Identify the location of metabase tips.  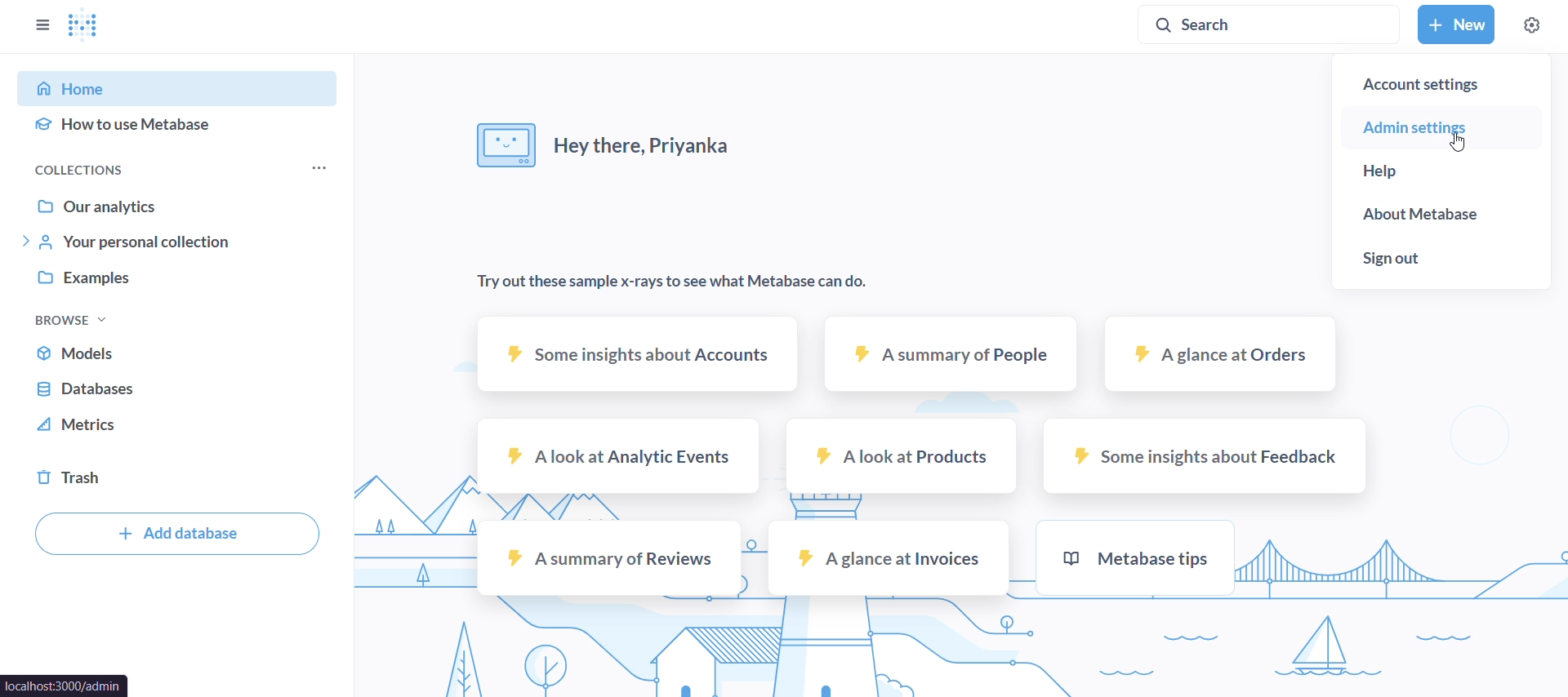
(1139, 557).